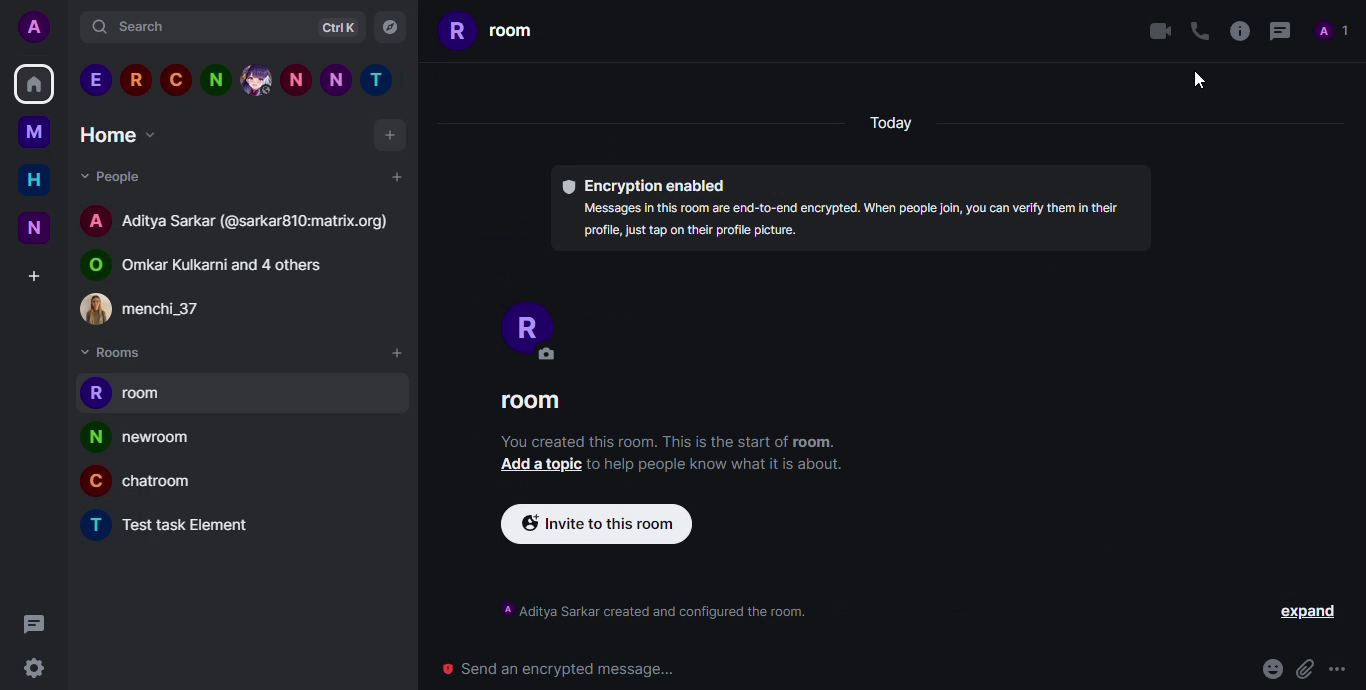 This screenshot has height=690, width=1366. I want to click on home, so click(34, 83).